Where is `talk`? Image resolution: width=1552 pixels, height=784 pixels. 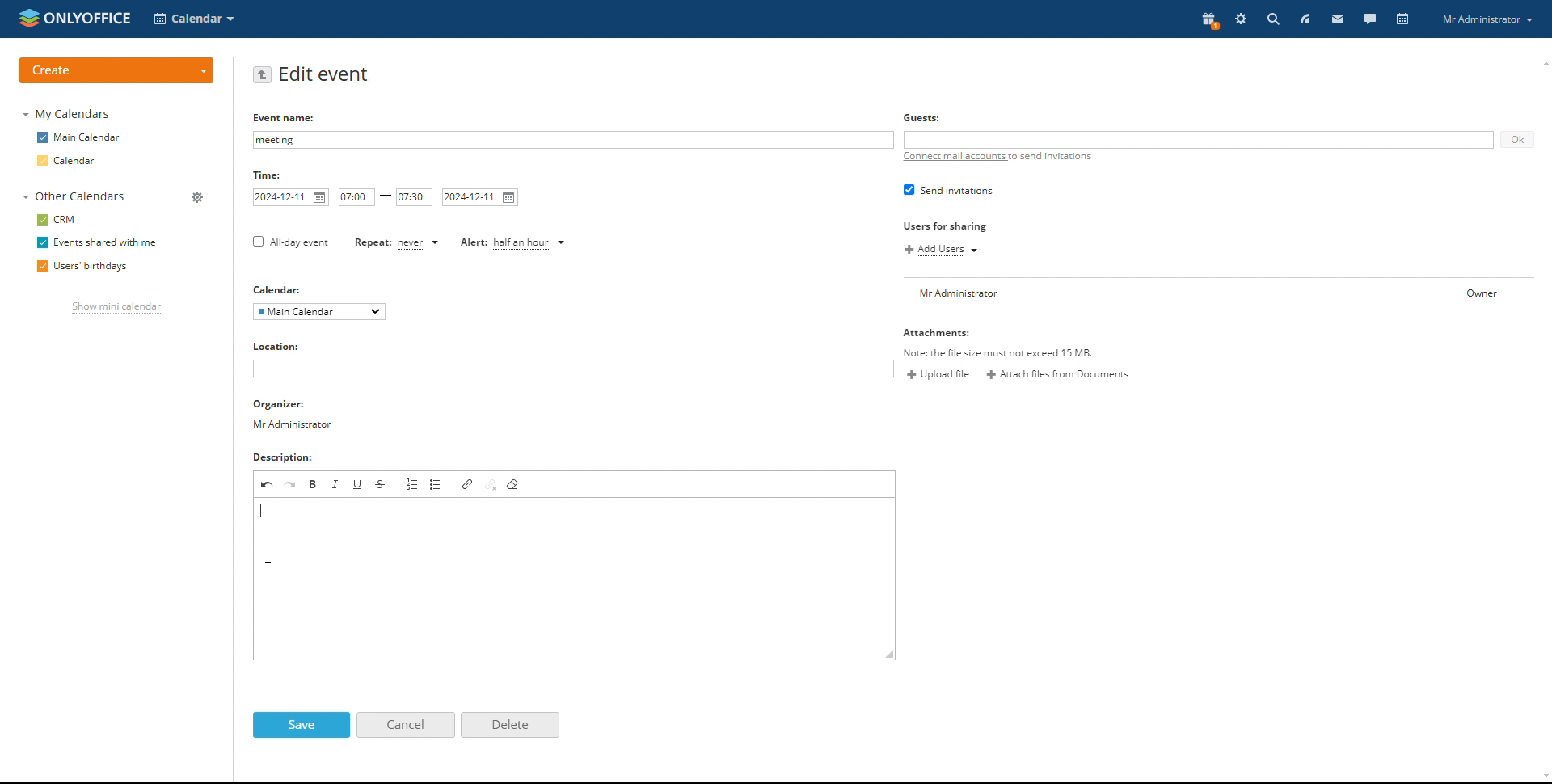 talk is located at coordinates (1370, 18).